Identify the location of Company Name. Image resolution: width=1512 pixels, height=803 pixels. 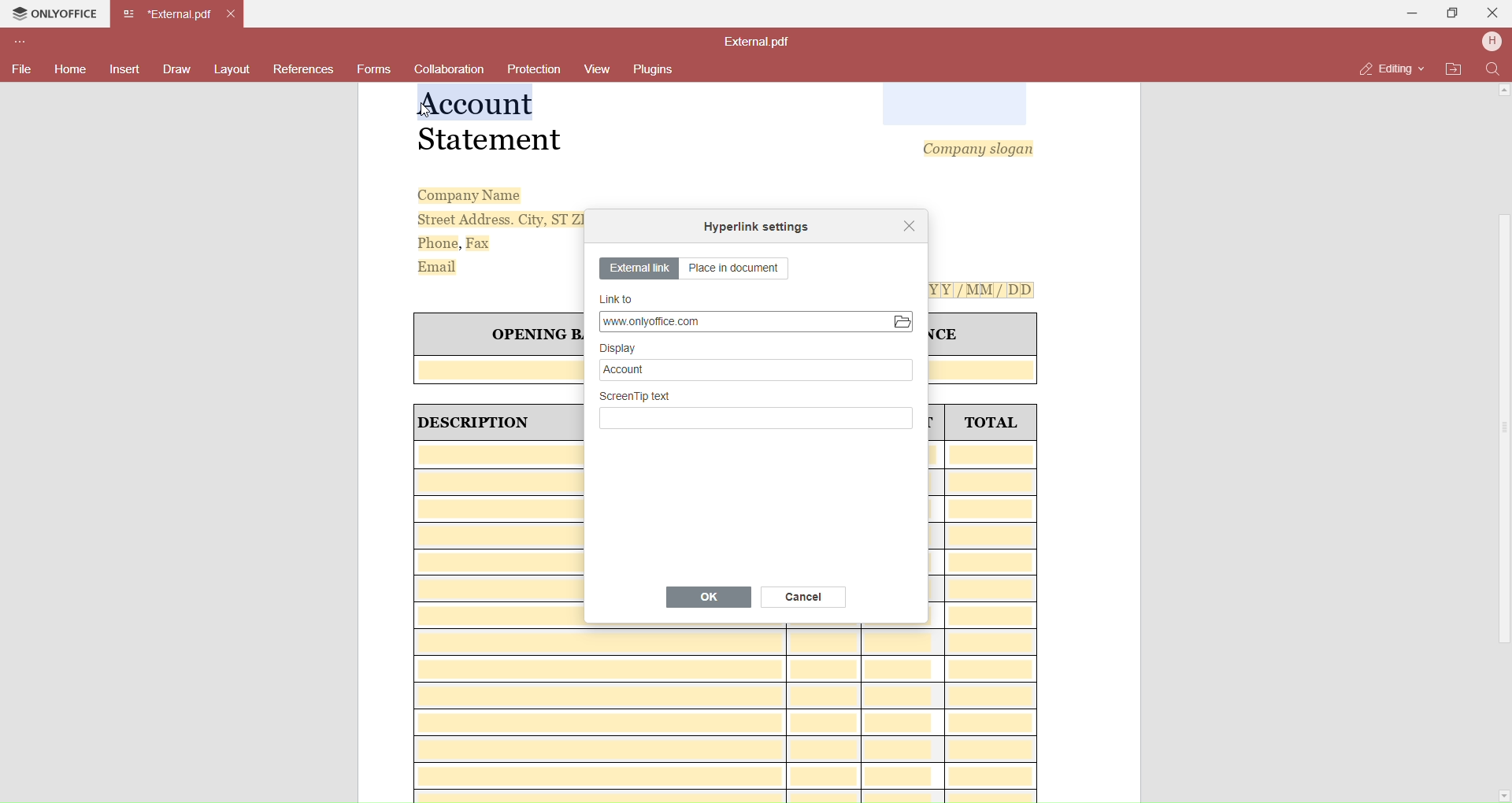
(470, 195).